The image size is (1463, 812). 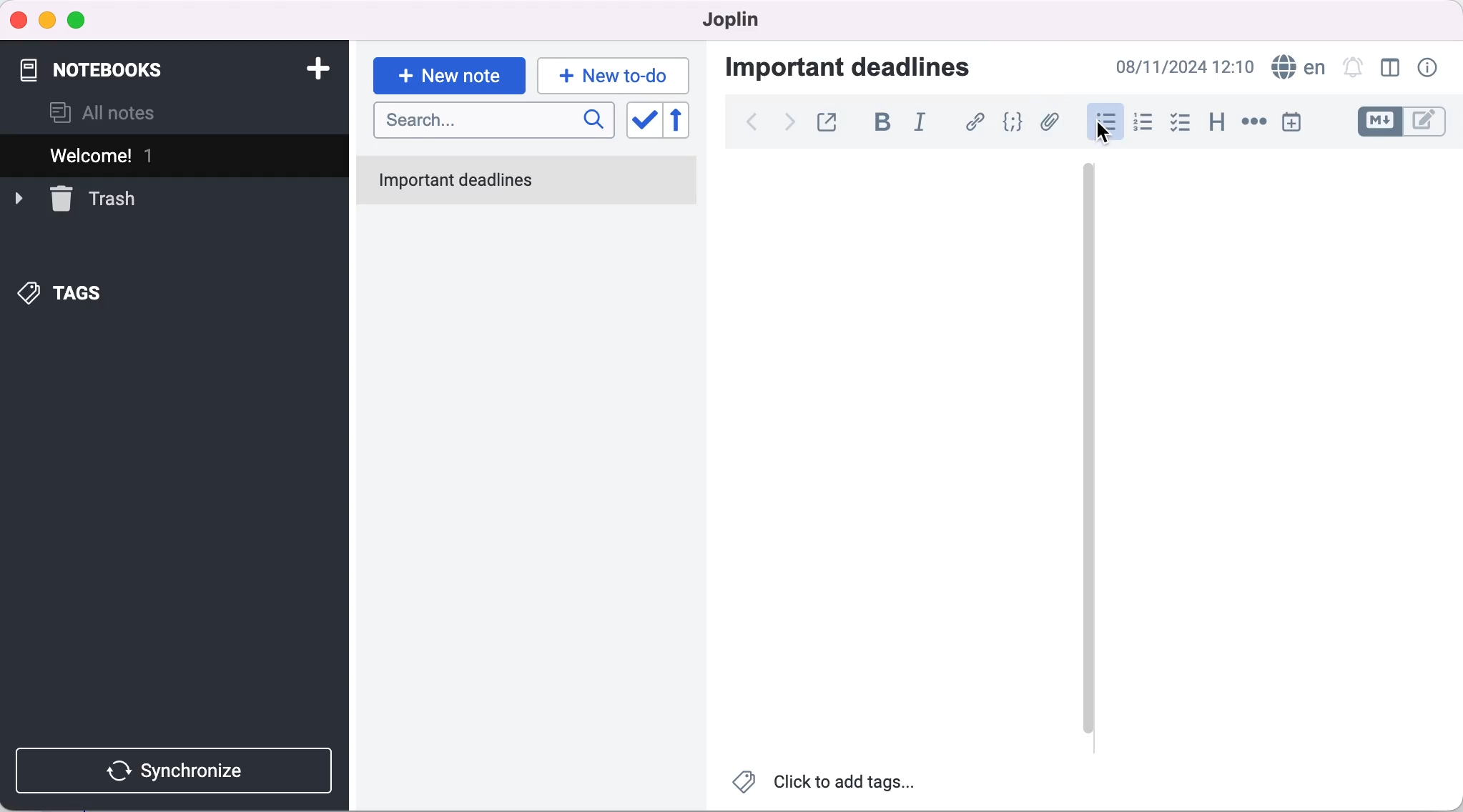 I want to click on horizontal rule, so click(x=1253, y=123).